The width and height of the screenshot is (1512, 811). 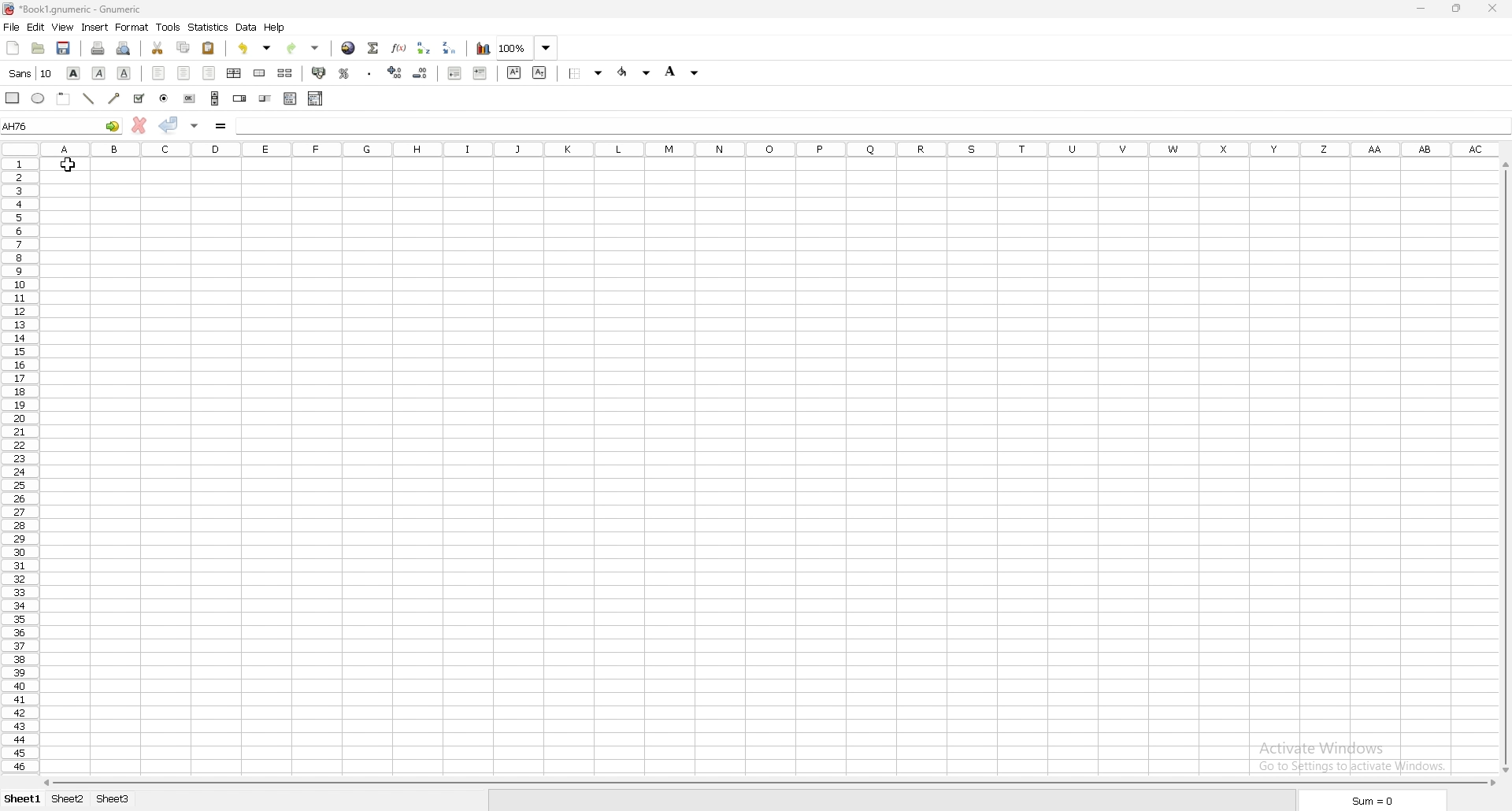 What do you see at coordinates (1493, 9) in the screenshot?
I see `close` at bounding box center [1493, 9].